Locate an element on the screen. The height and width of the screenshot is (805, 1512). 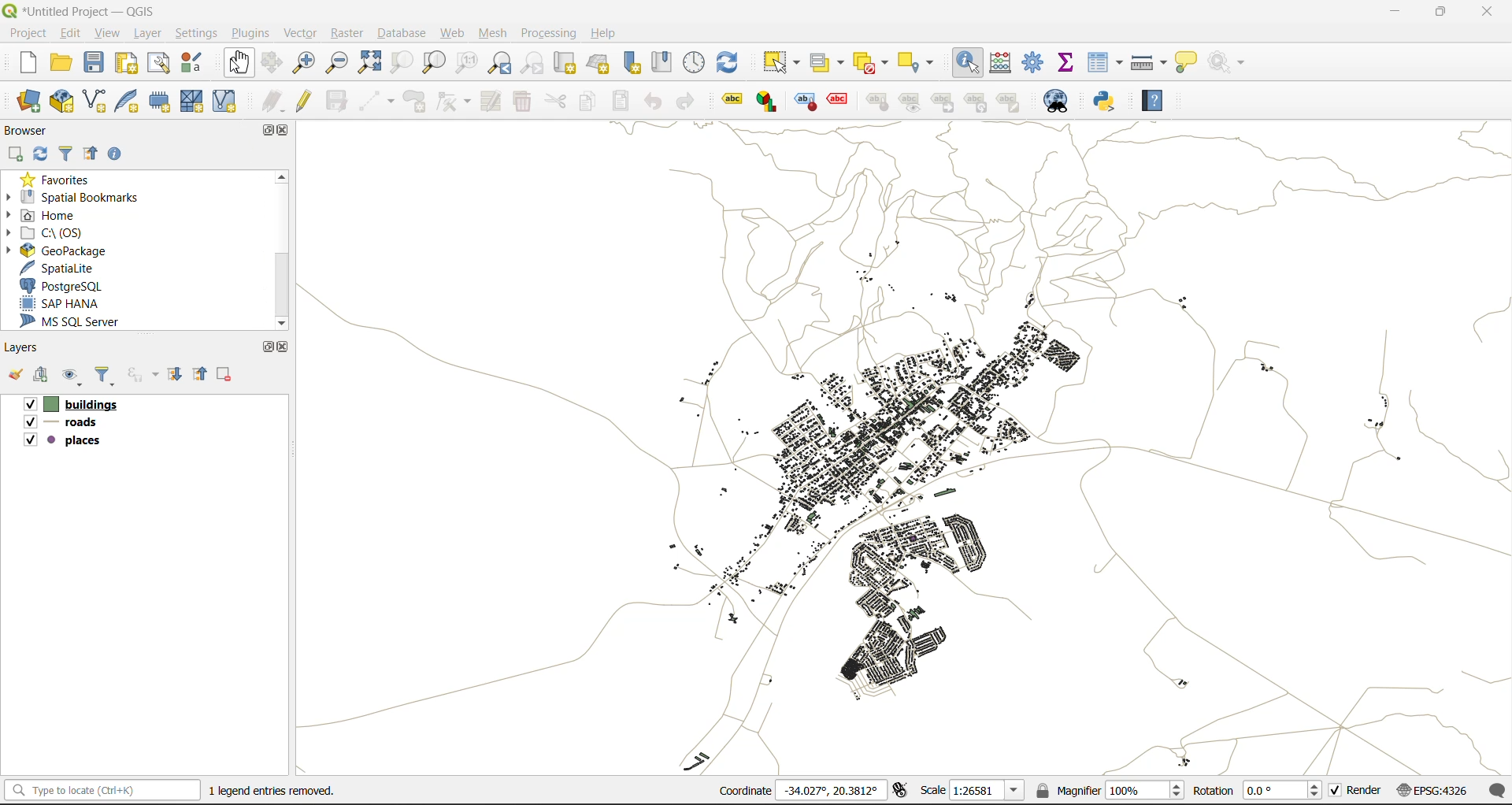
manage map is located at coordinates (76, 377).